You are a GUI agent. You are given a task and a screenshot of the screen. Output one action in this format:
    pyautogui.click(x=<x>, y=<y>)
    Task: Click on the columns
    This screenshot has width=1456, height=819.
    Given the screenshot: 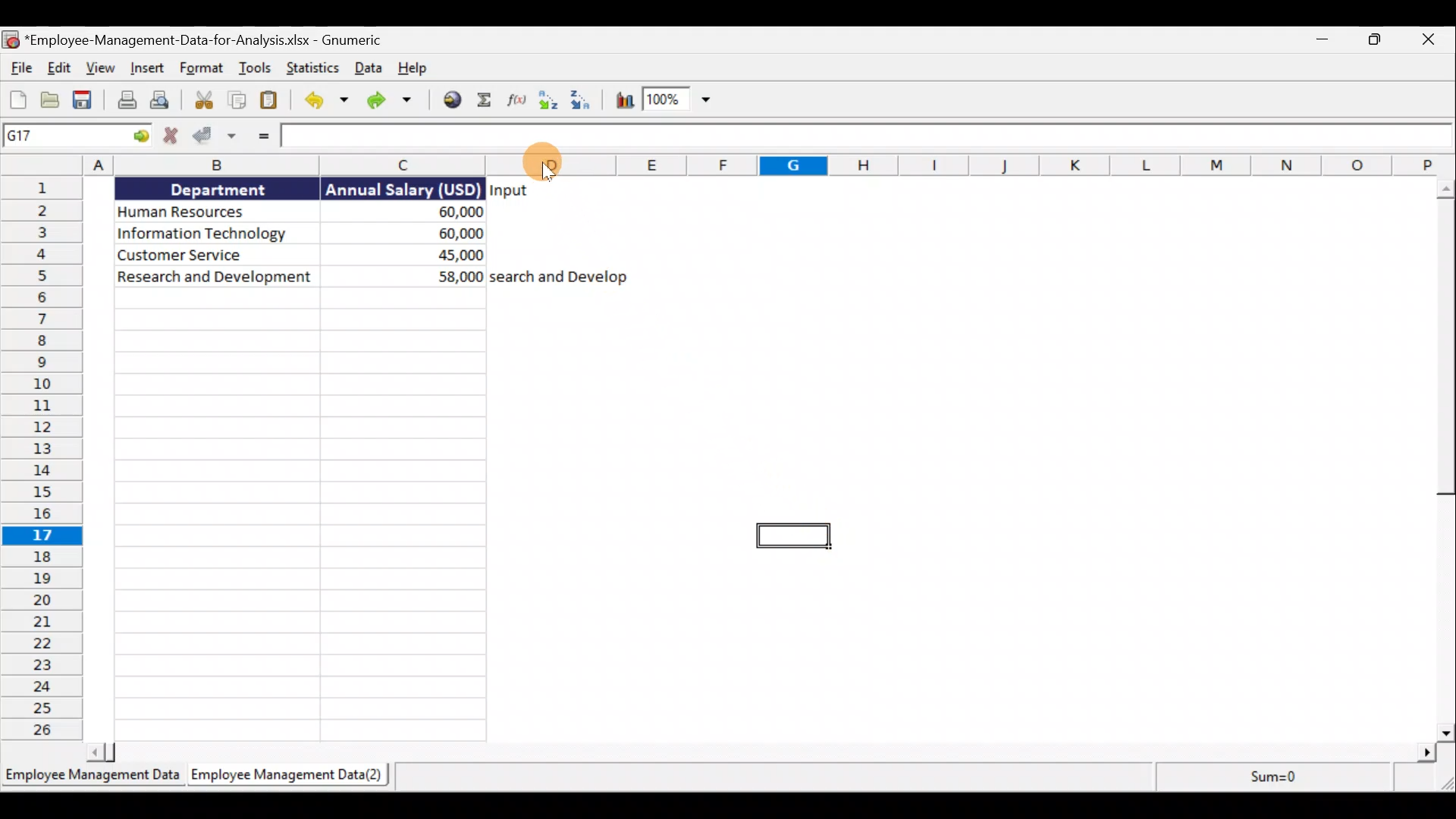 What is the action you would take?
    pyautogui.click(x=1015, y=163)
    